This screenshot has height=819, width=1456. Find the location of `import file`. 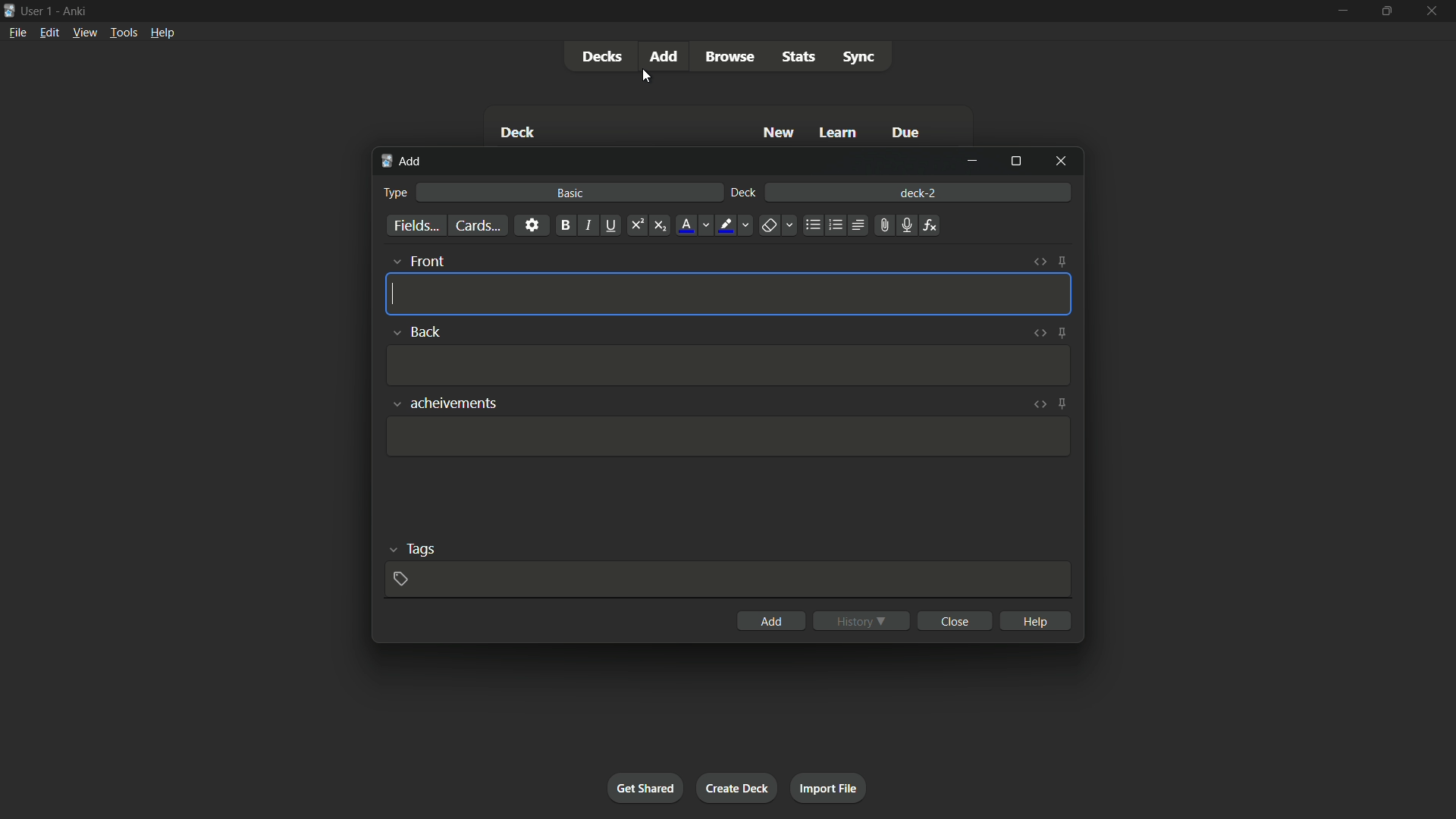

import file is located at coordinates (830, 789).